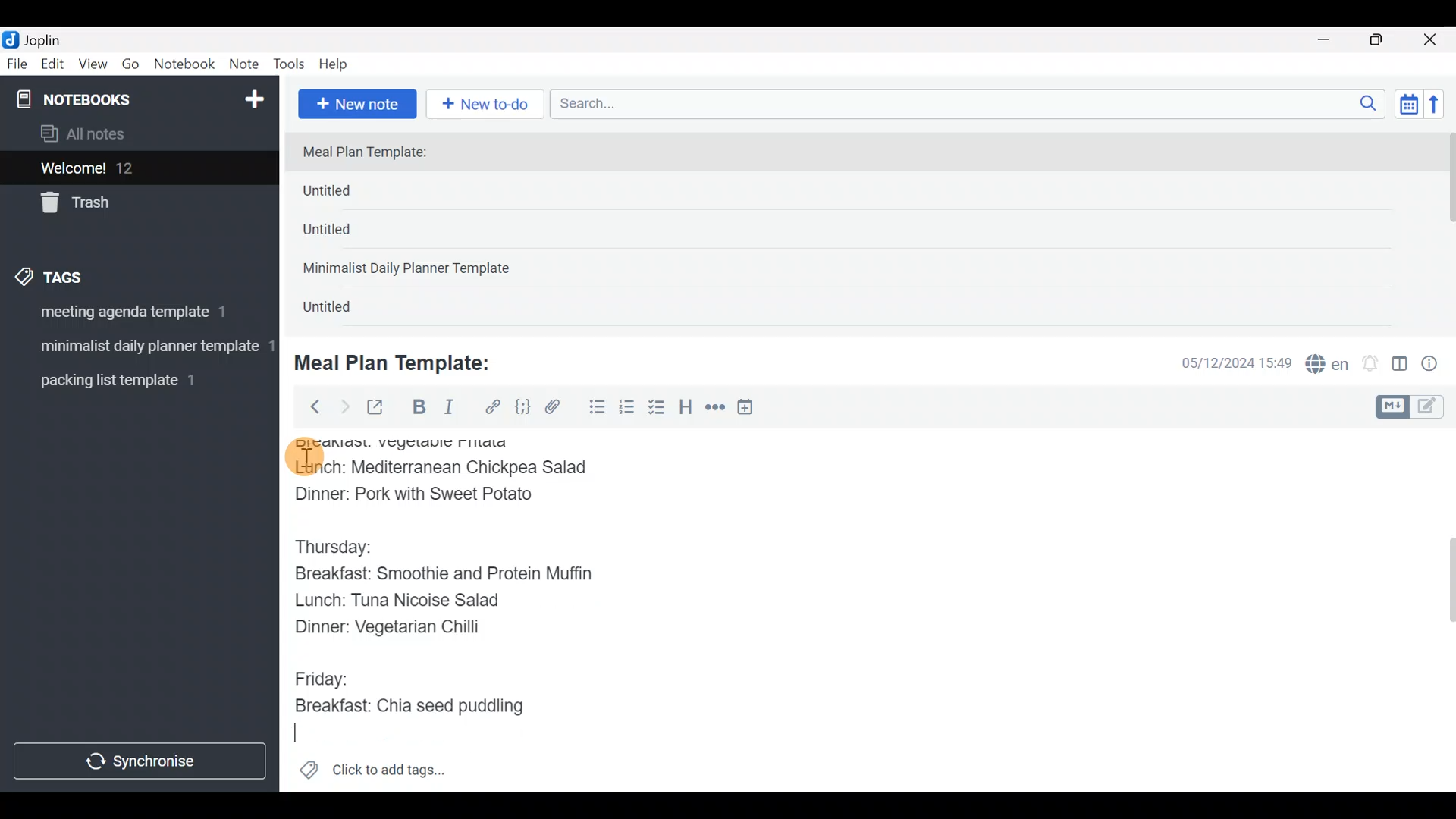  I want to click on Bulleted list, so click(594, 408).